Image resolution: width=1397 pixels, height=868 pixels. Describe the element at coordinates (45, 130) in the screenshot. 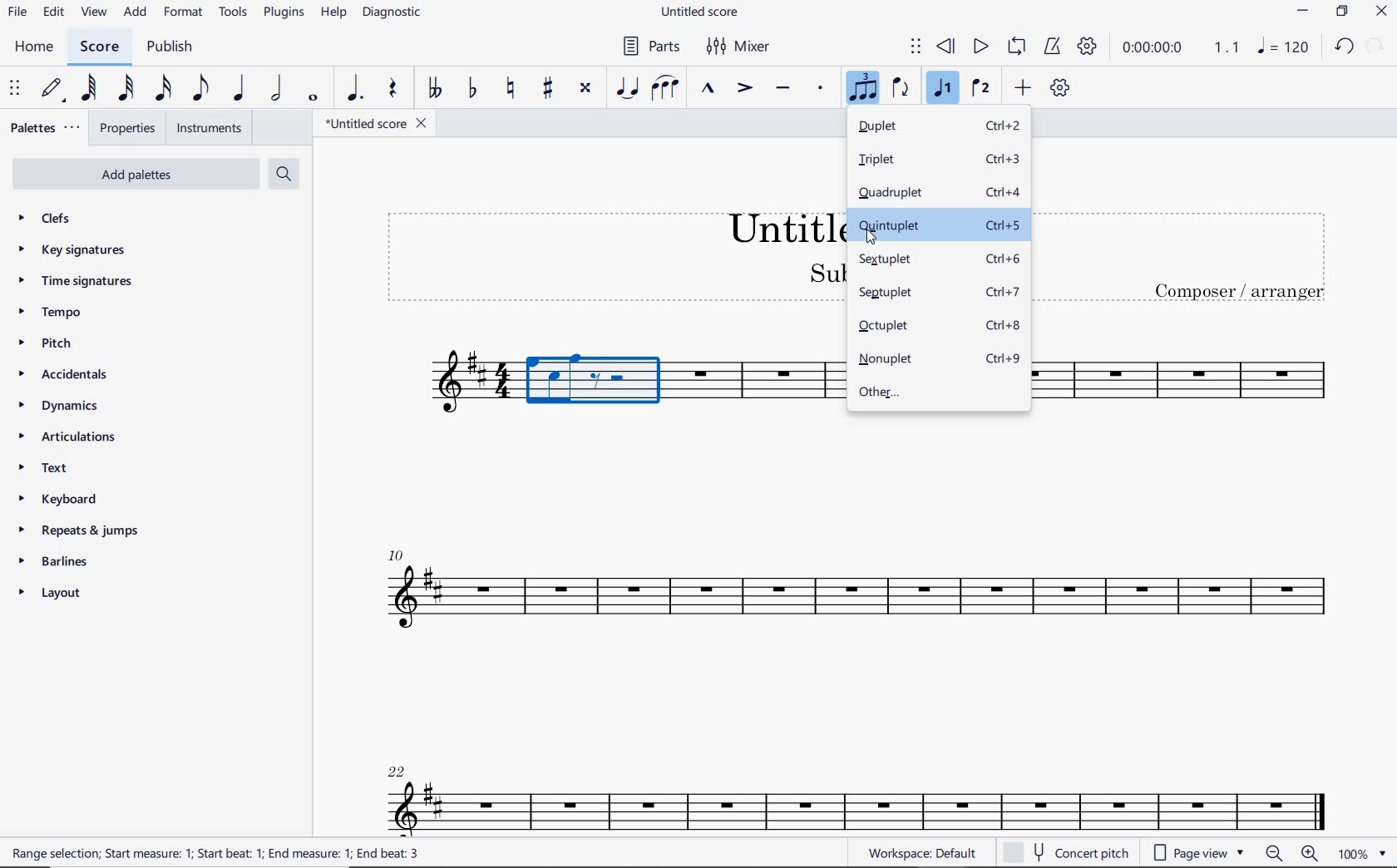

I see `PALETTES` at that location.